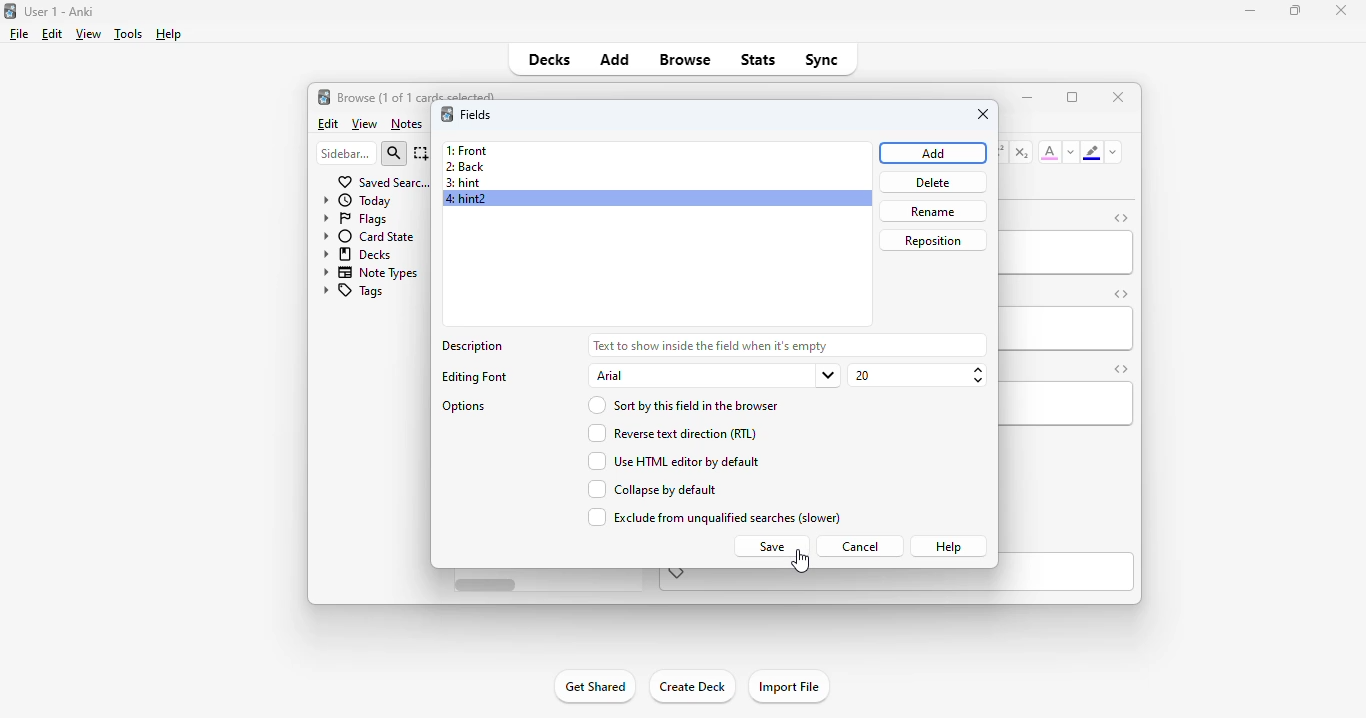  I want to click on sync, so click(820, 58).